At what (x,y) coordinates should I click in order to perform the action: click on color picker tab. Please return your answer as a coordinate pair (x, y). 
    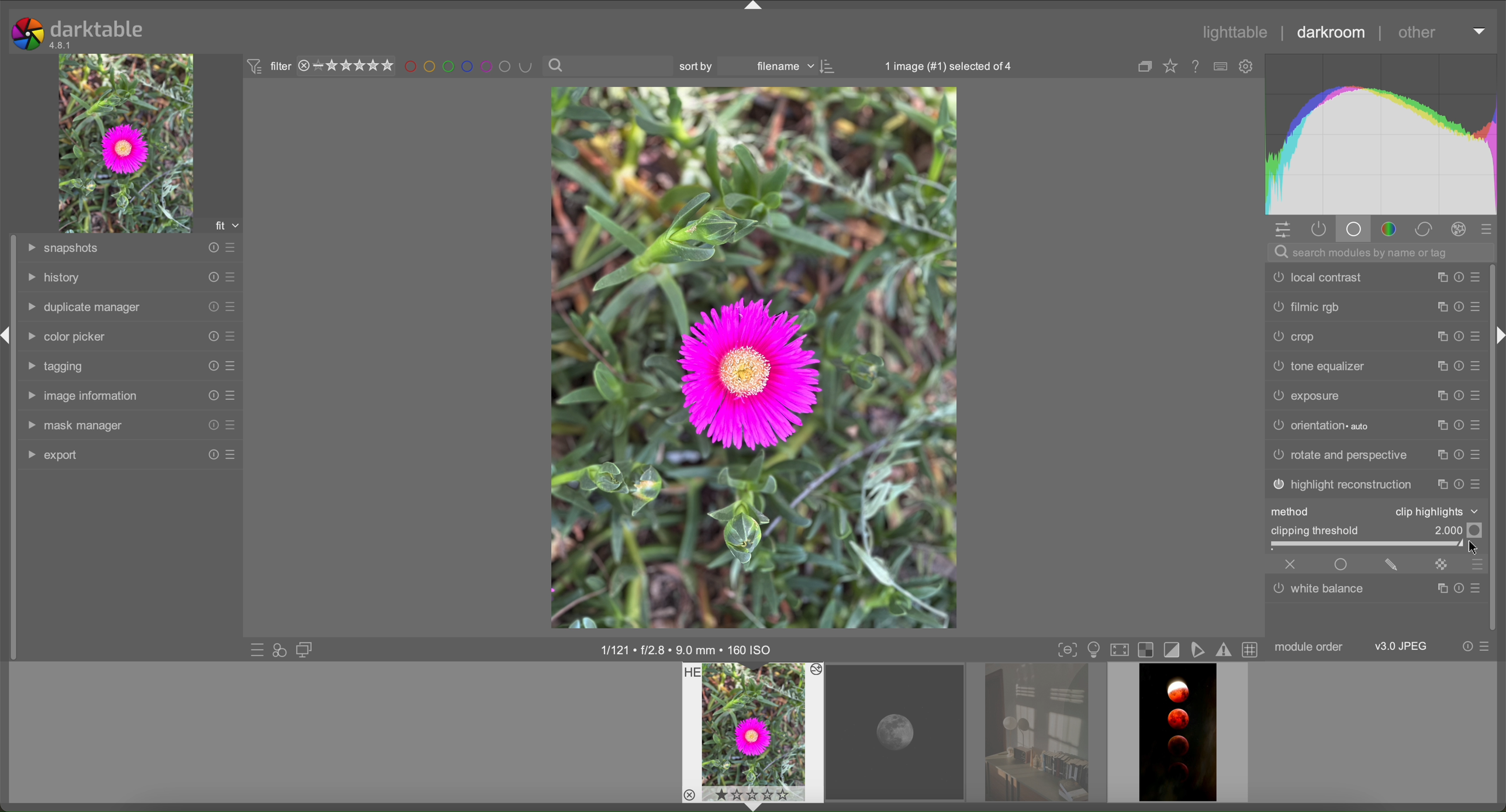
    Looking at the image, I should click on (64, 337).